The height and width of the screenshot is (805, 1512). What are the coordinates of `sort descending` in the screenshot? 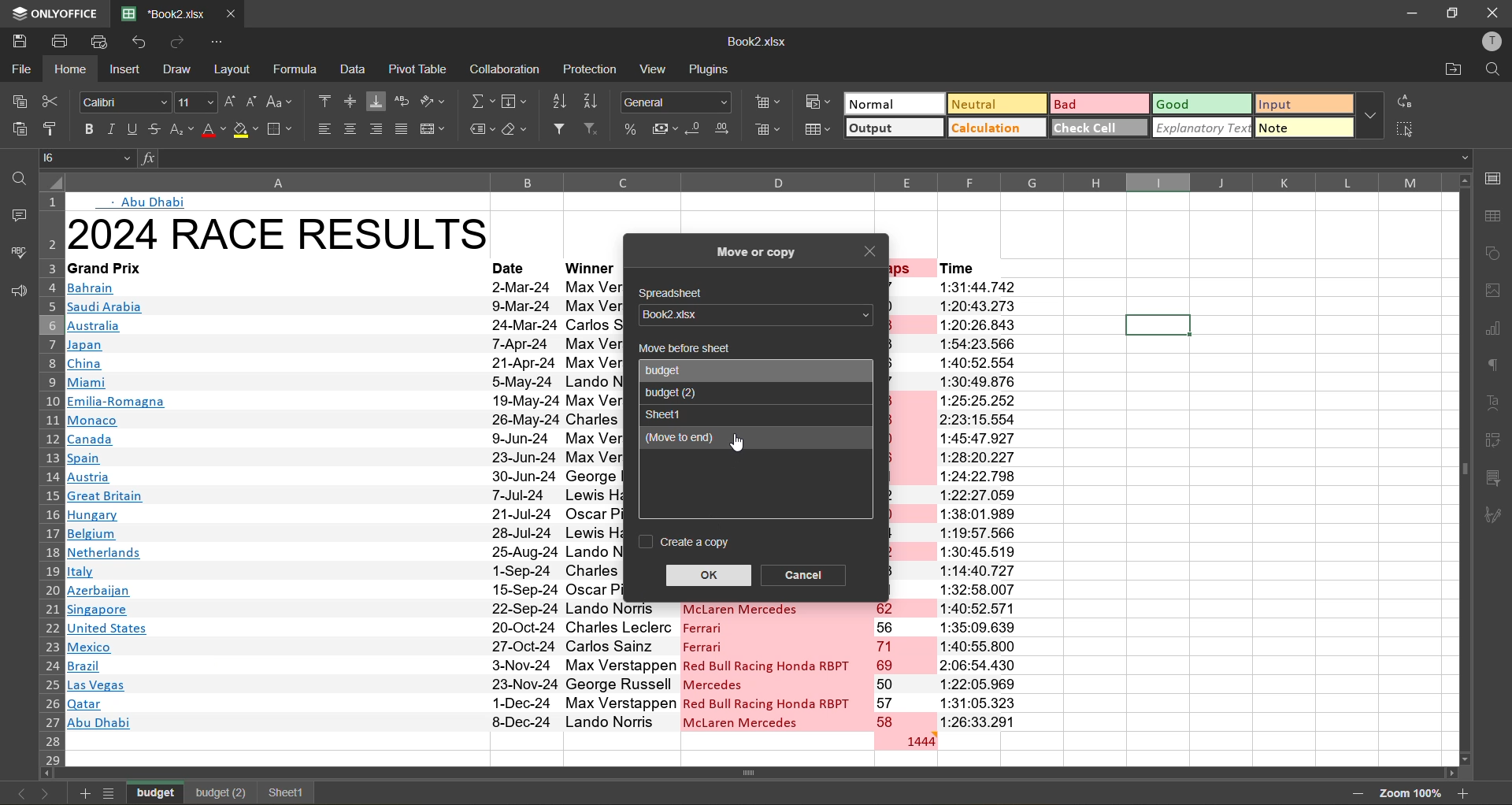 It's located at (596, 101).